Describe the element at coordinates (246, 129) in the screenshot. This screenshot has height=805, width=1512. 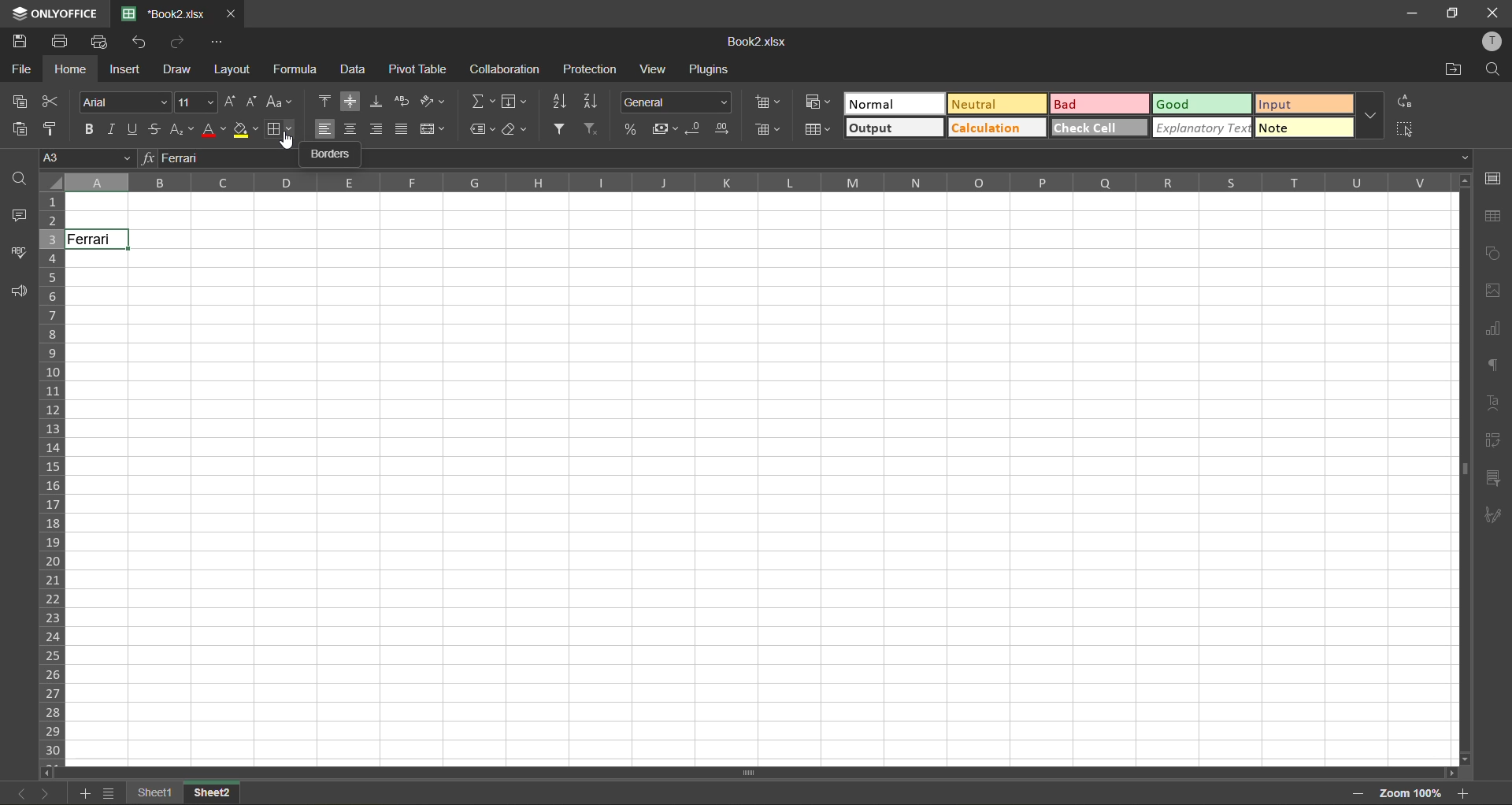
I see `fill color` at that location.